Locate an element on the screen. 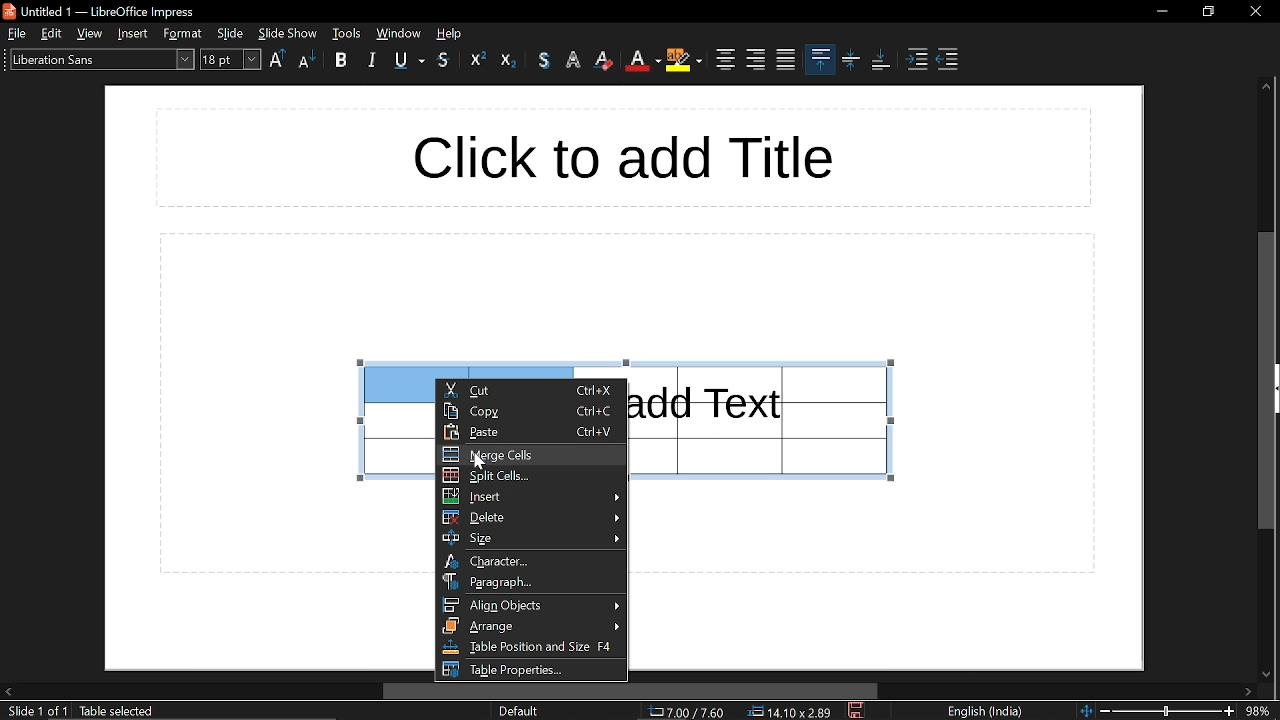 This screenshot has width=1280, height=720. size is located at coordinates (533, 538).